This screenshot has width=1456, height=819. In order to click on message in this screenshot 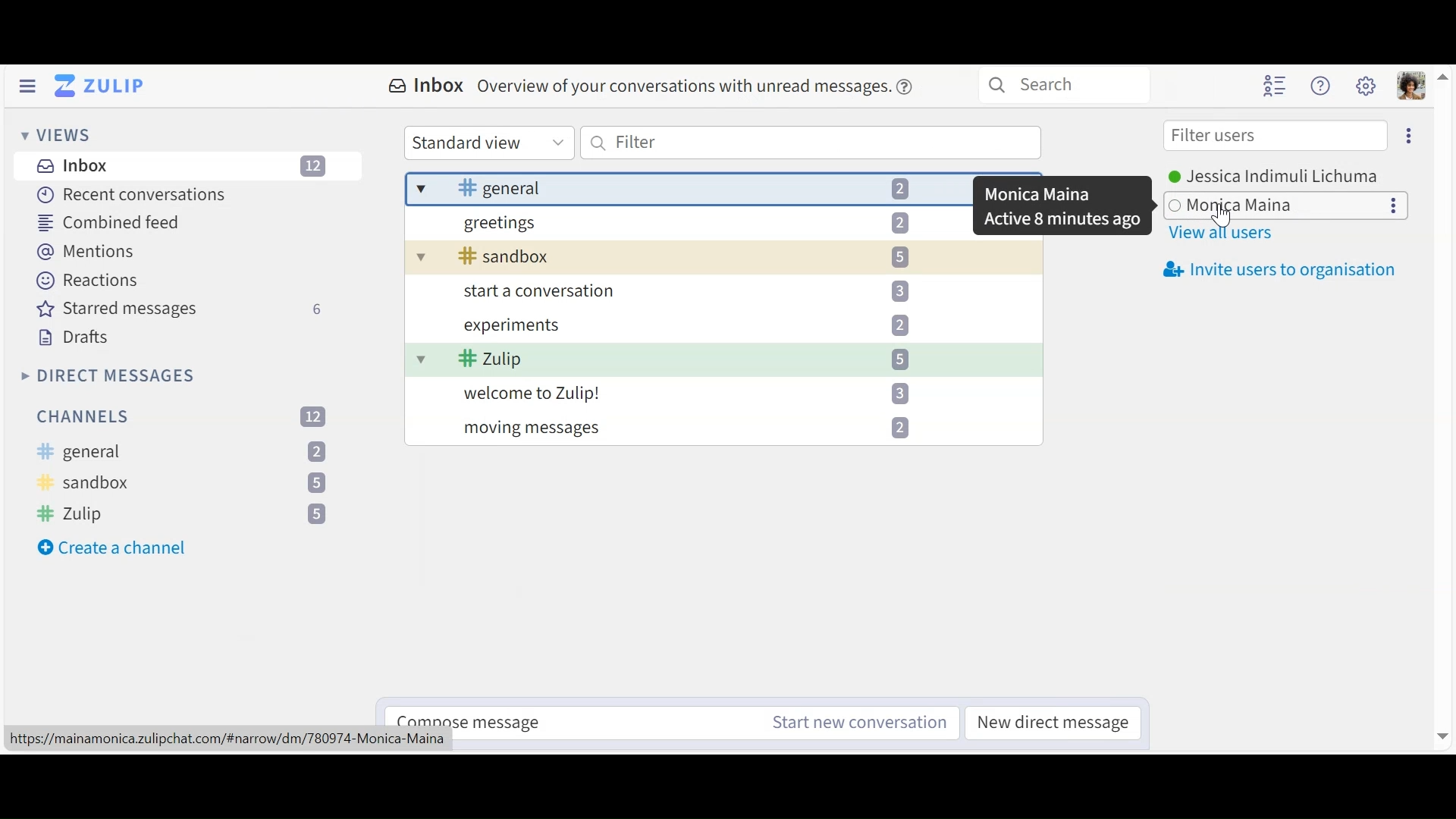, I will do `click(726, 290)`.